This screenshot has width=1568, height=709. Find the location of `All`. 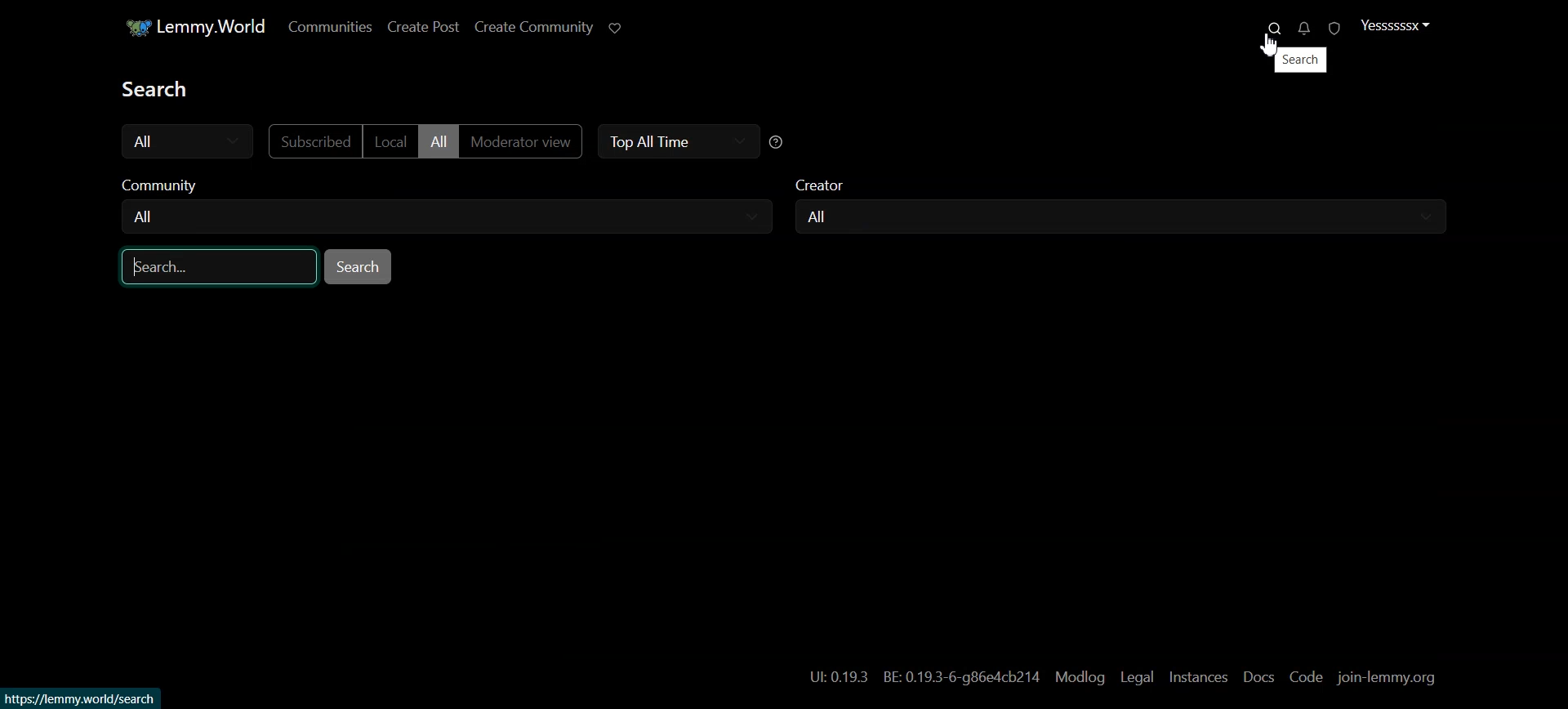

All is located at coordinates (184, 140).